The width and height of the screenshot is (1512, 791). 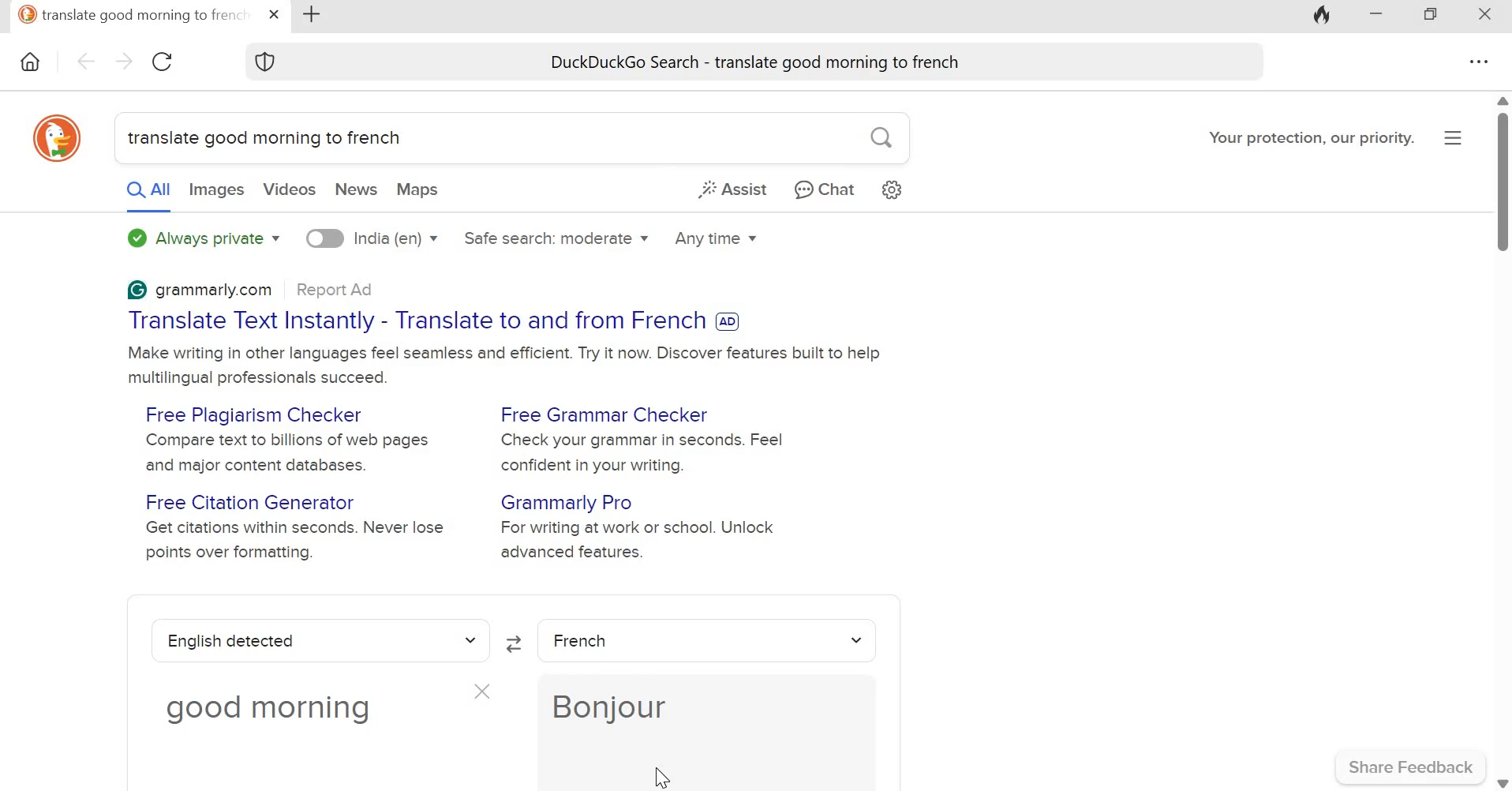 What do you see at coordinates (147, 189) in the screenshot?
I see `All` at bounding box center [147, 189].